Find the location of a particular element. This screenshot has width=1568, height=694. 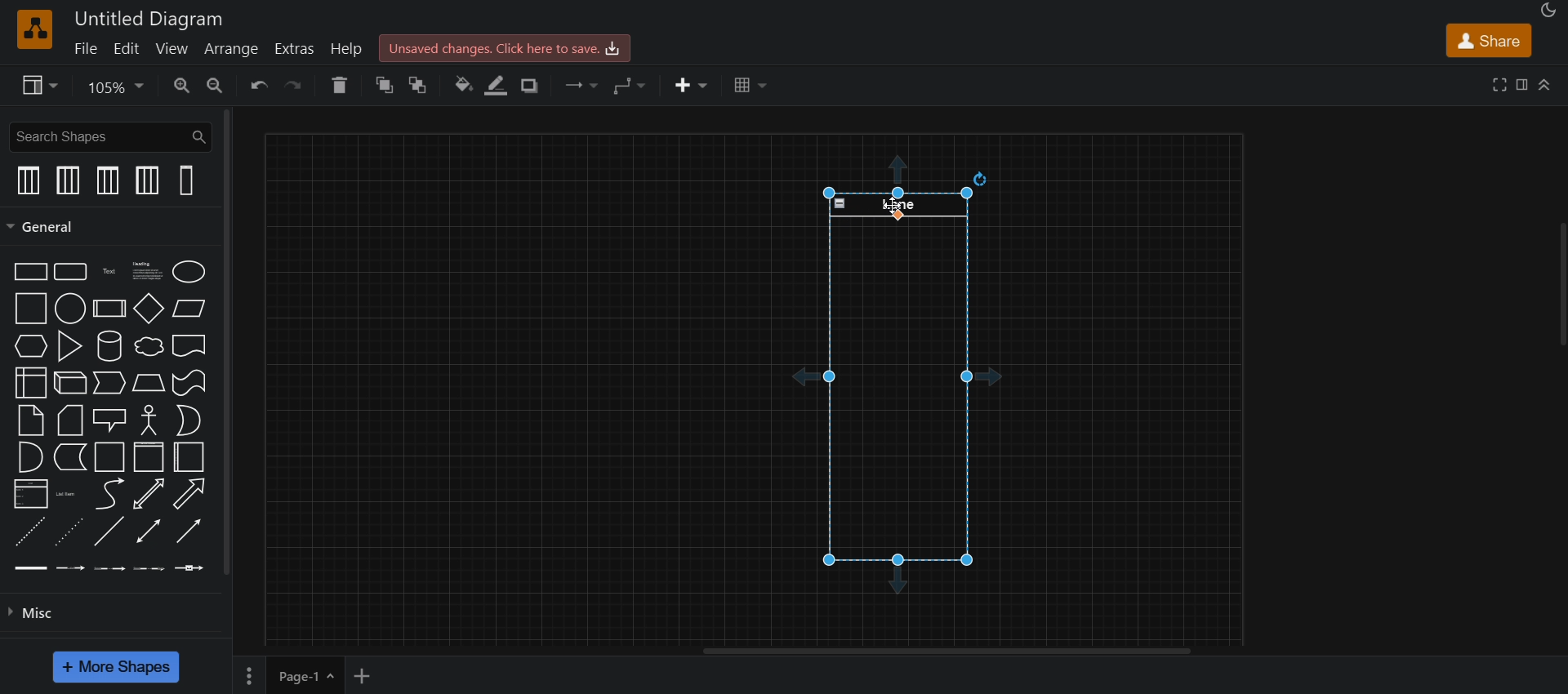

click here to save is located at coordinates (505, 47).